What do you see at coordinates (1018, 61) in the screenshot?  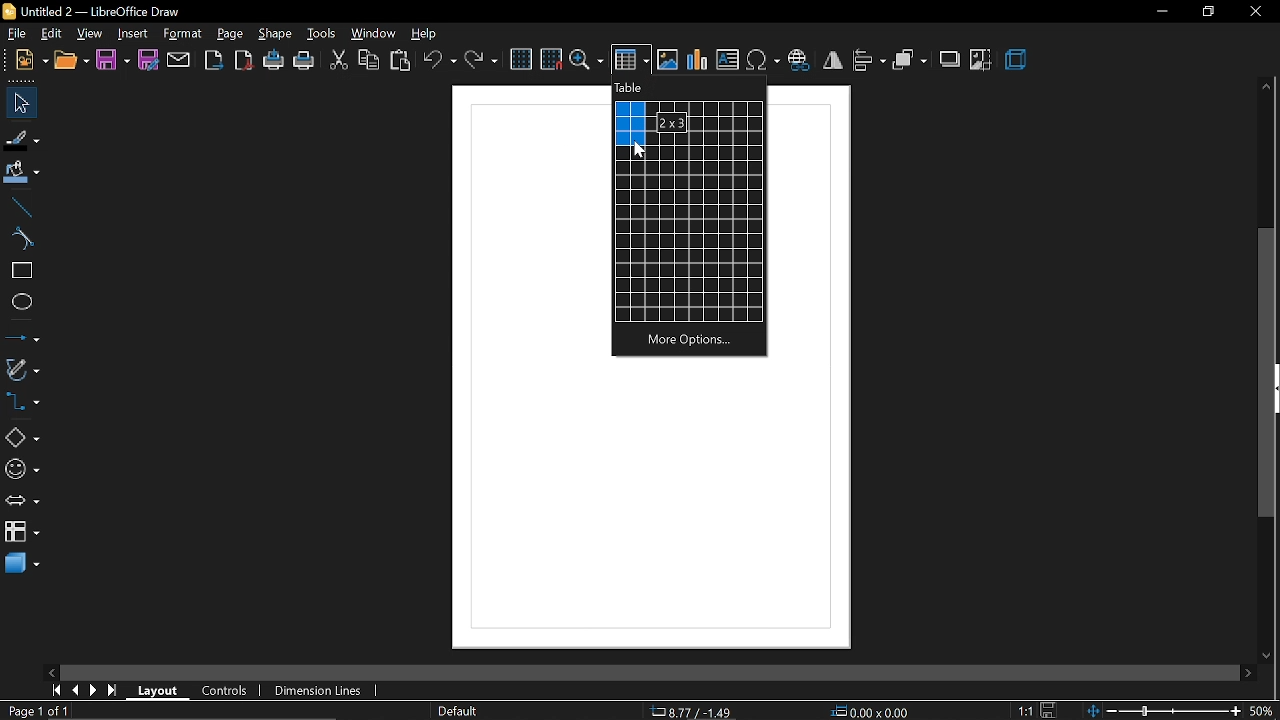 I see `3d effect` at bounding box center [1018, 61].